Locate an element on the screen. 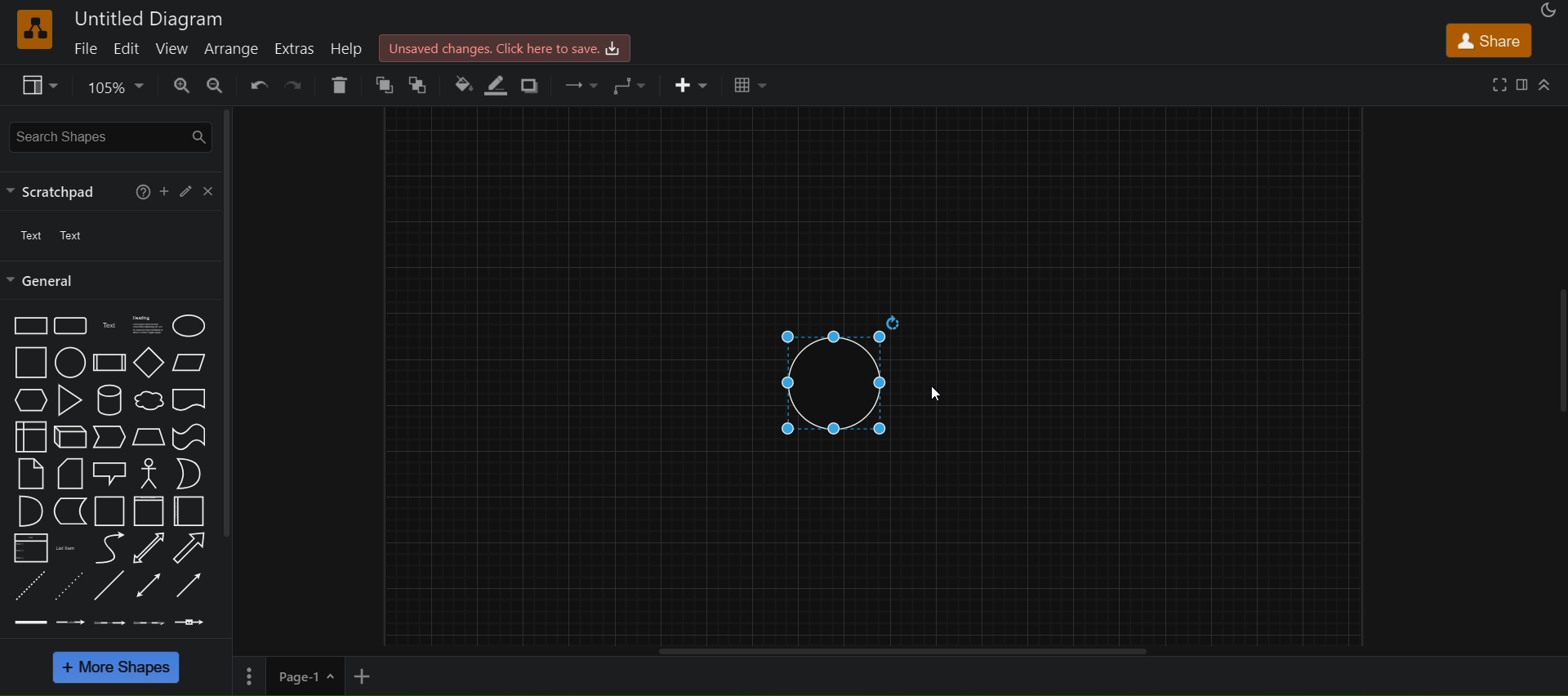 This screenshot has height=696, width=1568. and is located at coordinates (28, 511).